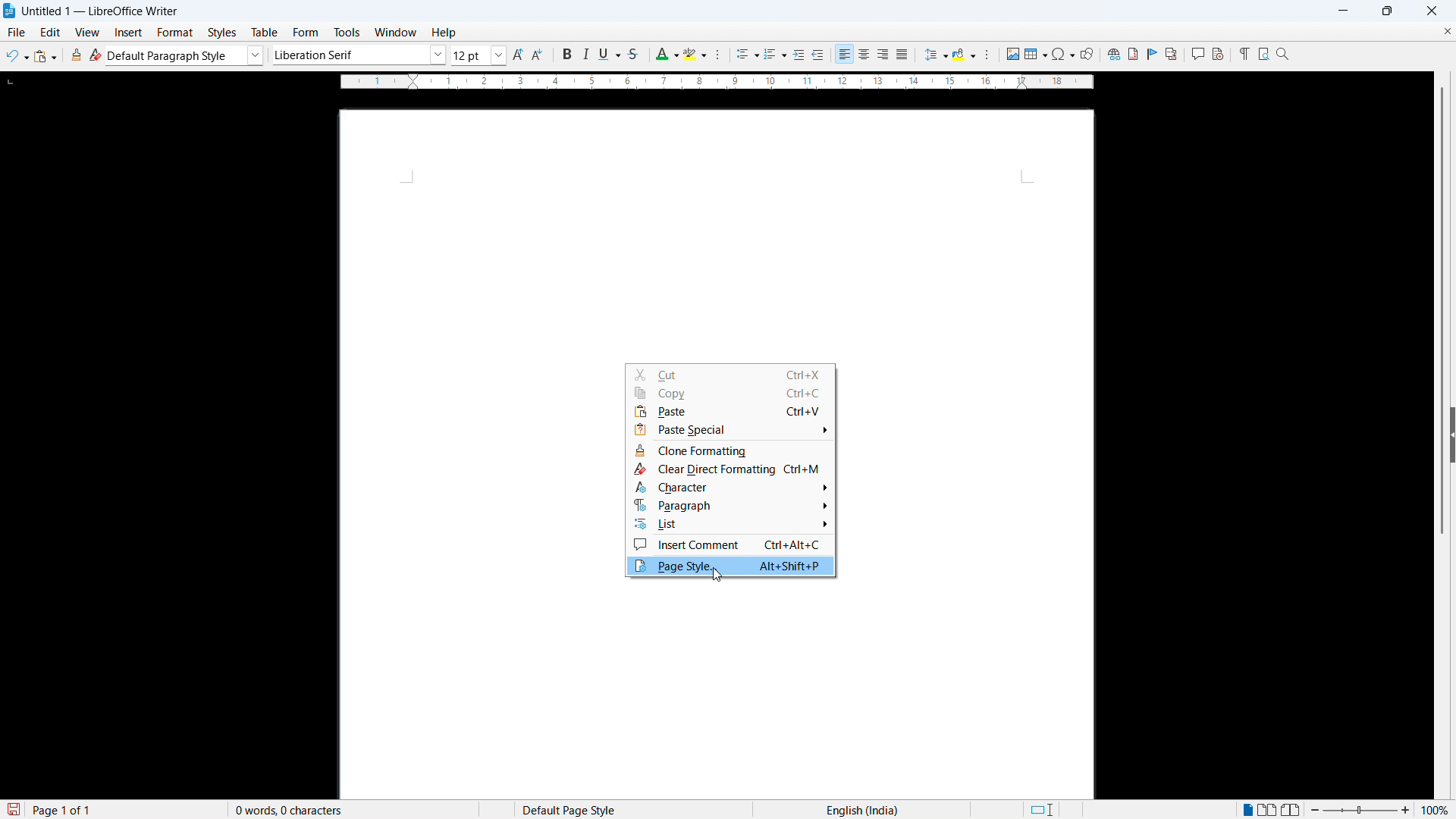 Image resolution: width=1456 pixels, height=819 pixels. Describe the element at coordinates (730, 544) in the screenshot. I see `Insert comment ` at that location.